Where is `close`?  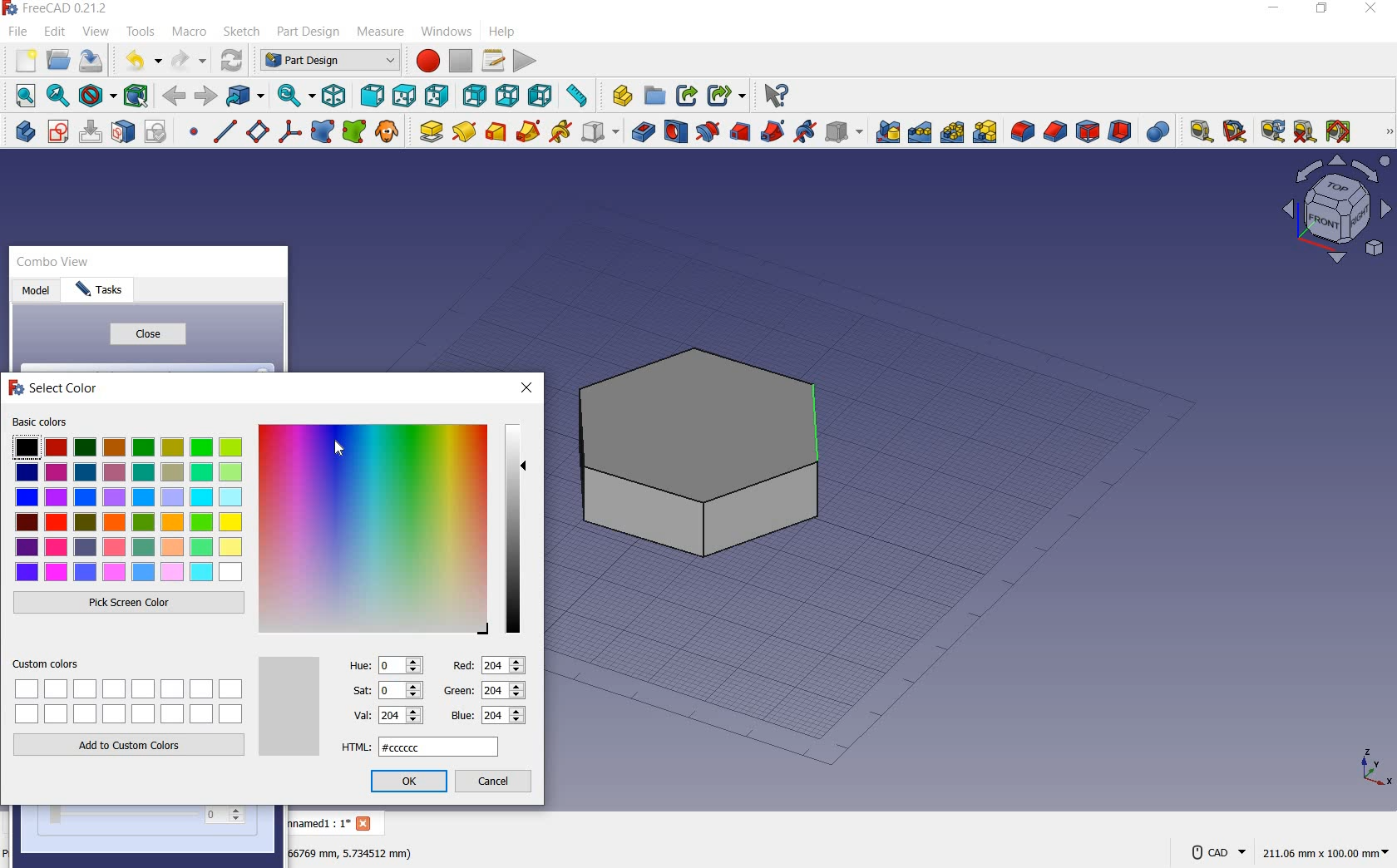
close is located at coordinates (146, 334).